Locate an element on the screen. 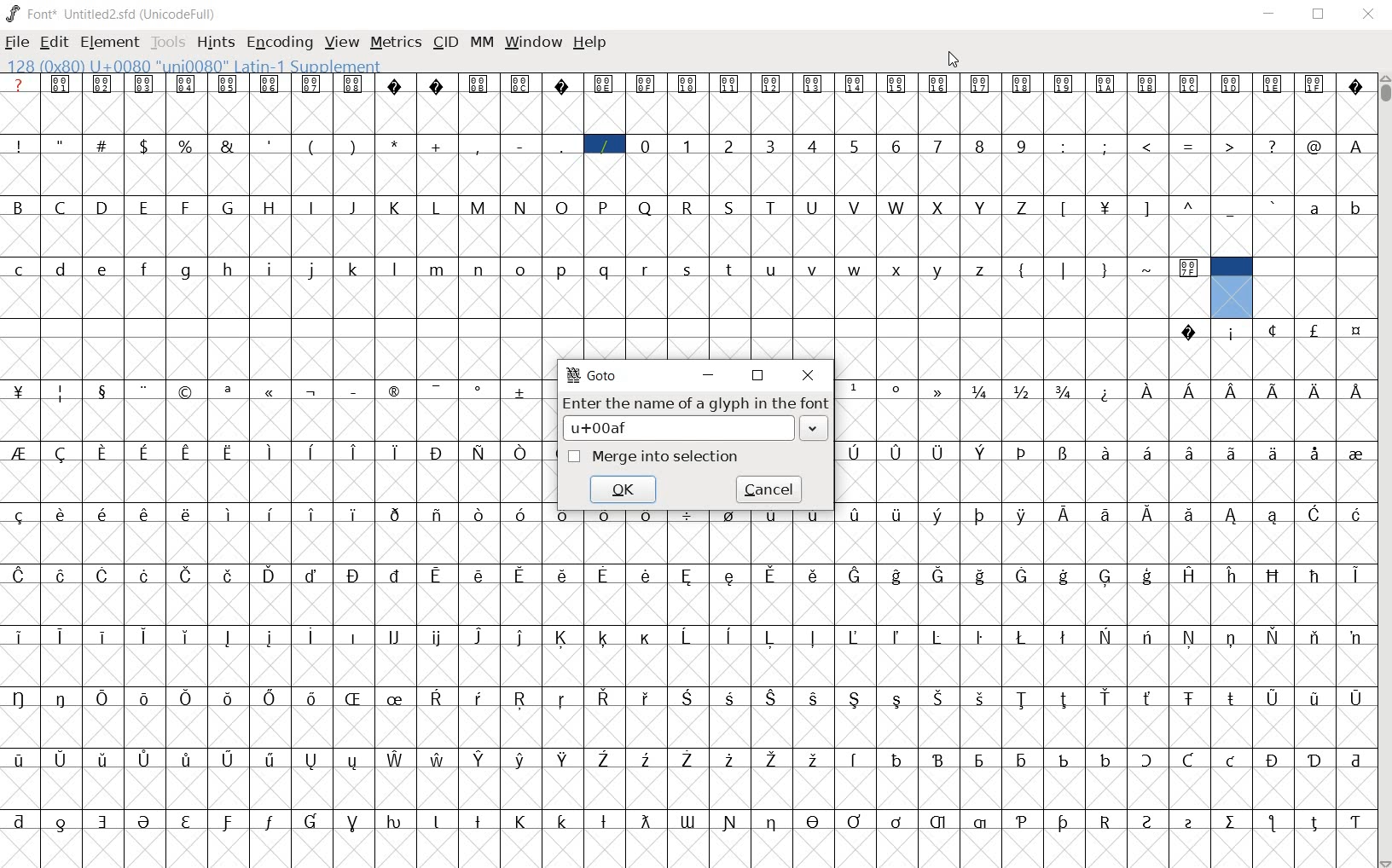 This screenshot has height=868, width=1392. Symbol is located at coordinates (647, 513).